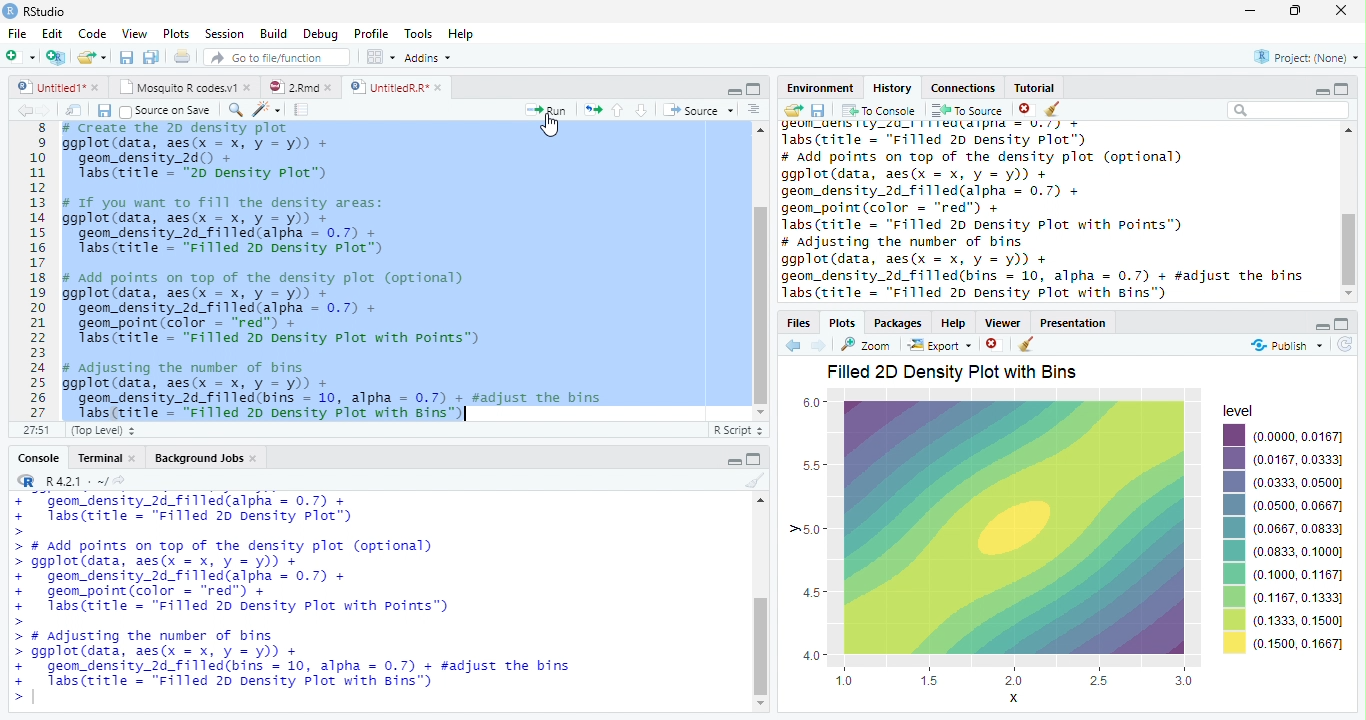 Image resolution: width=1366 pixels, height=720 pixels. Describe the element at coordinates (1350, 132) in the screenshot. I see `Scrollbar up` at that location.